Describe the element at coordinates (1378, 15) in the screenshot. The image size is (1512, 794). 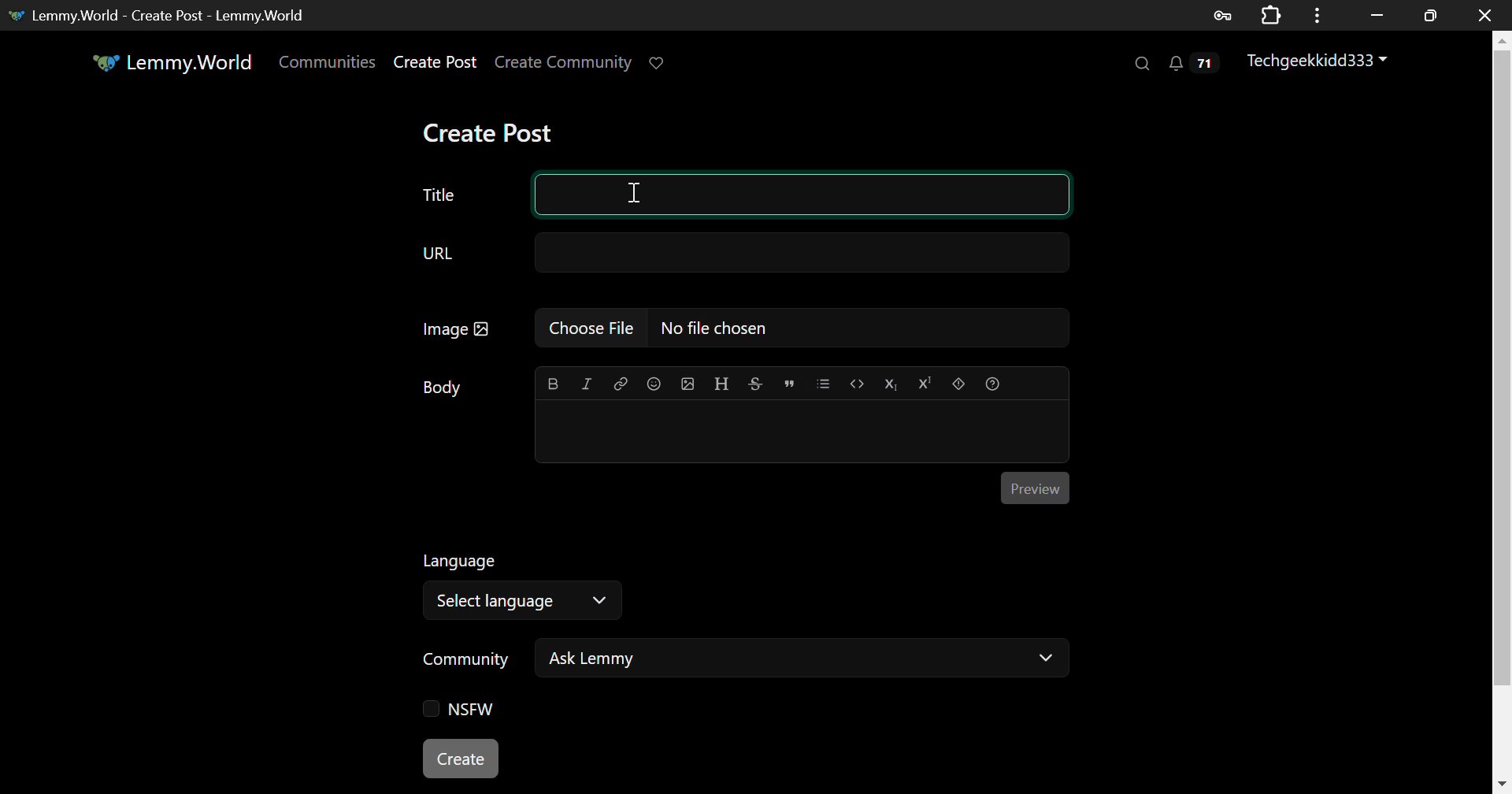
I see `Restore Down` at that location.